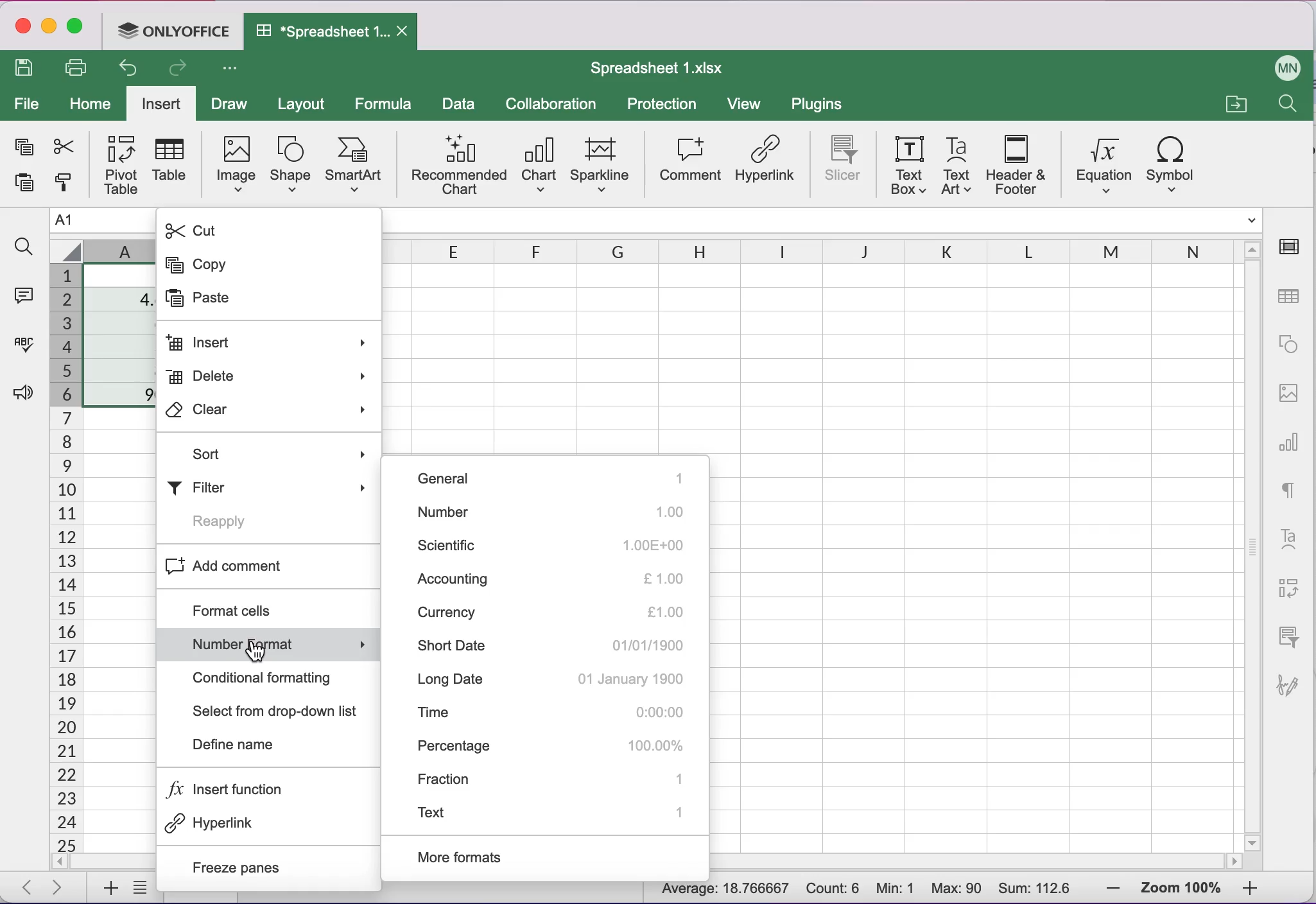 The image size is (1316, 904). What do you see at coordinates (235, 166) in the screenshot?
I see `image` at bounding box center [235, 166].